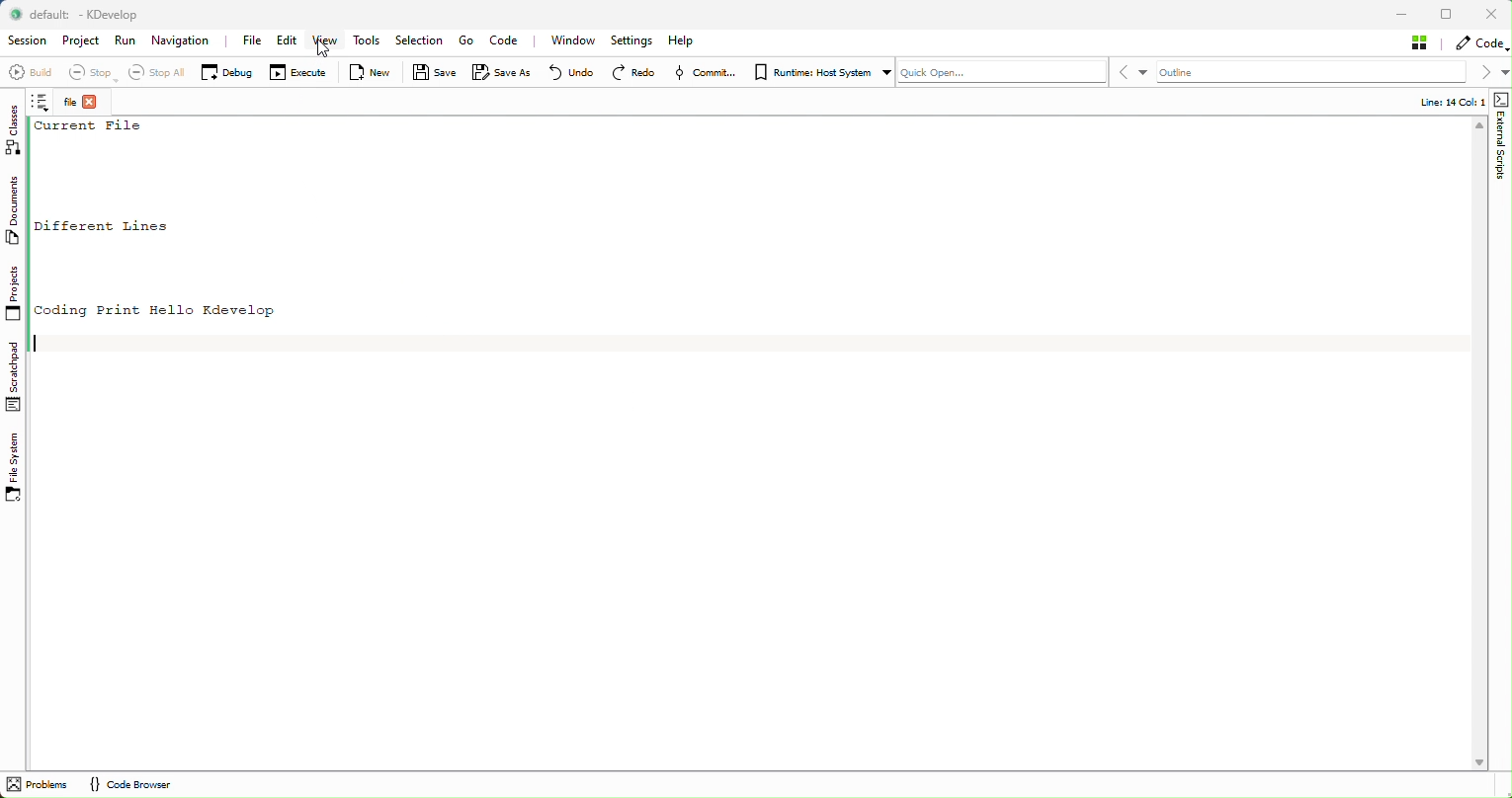 Image resolution: width=1512 pixels, height=798 pixels. I want to click on Stop, so click(88, 73).